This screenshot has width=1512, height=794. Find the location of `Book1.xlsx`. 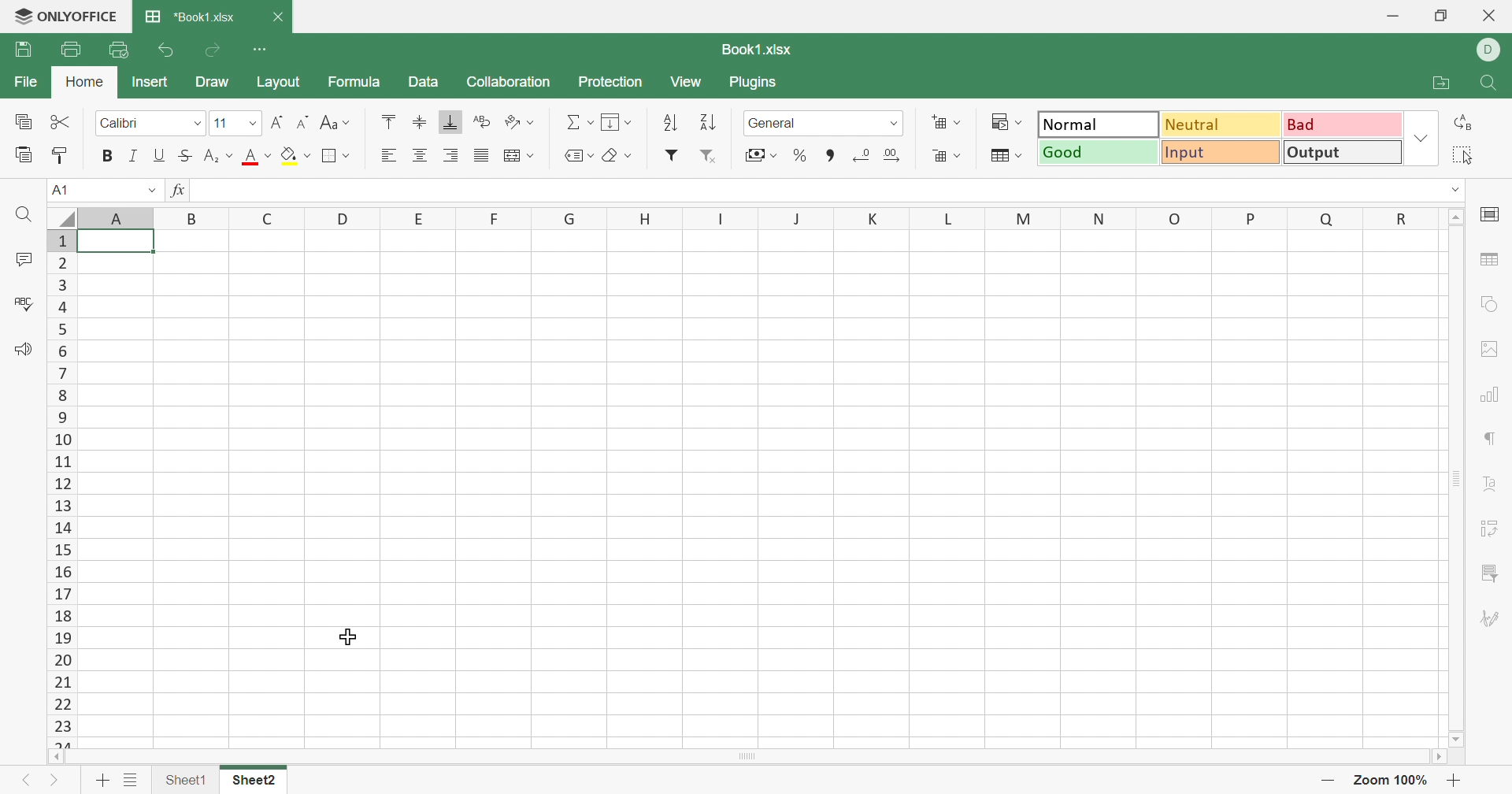

Book1.xlsx is located at coordinates (190, 15).